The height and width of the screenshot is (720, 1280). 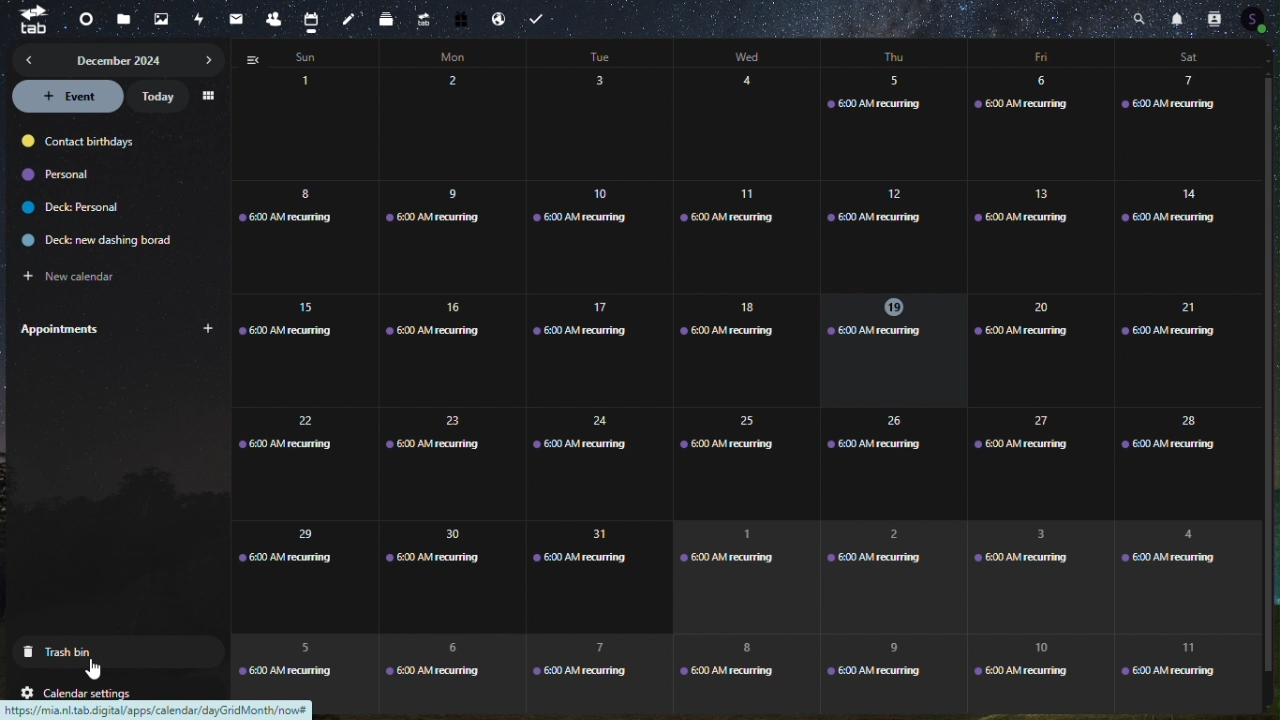 What do you see at coordinates (733, 571) in the screenshot?
I see `1` at bounding box center [733, 571].